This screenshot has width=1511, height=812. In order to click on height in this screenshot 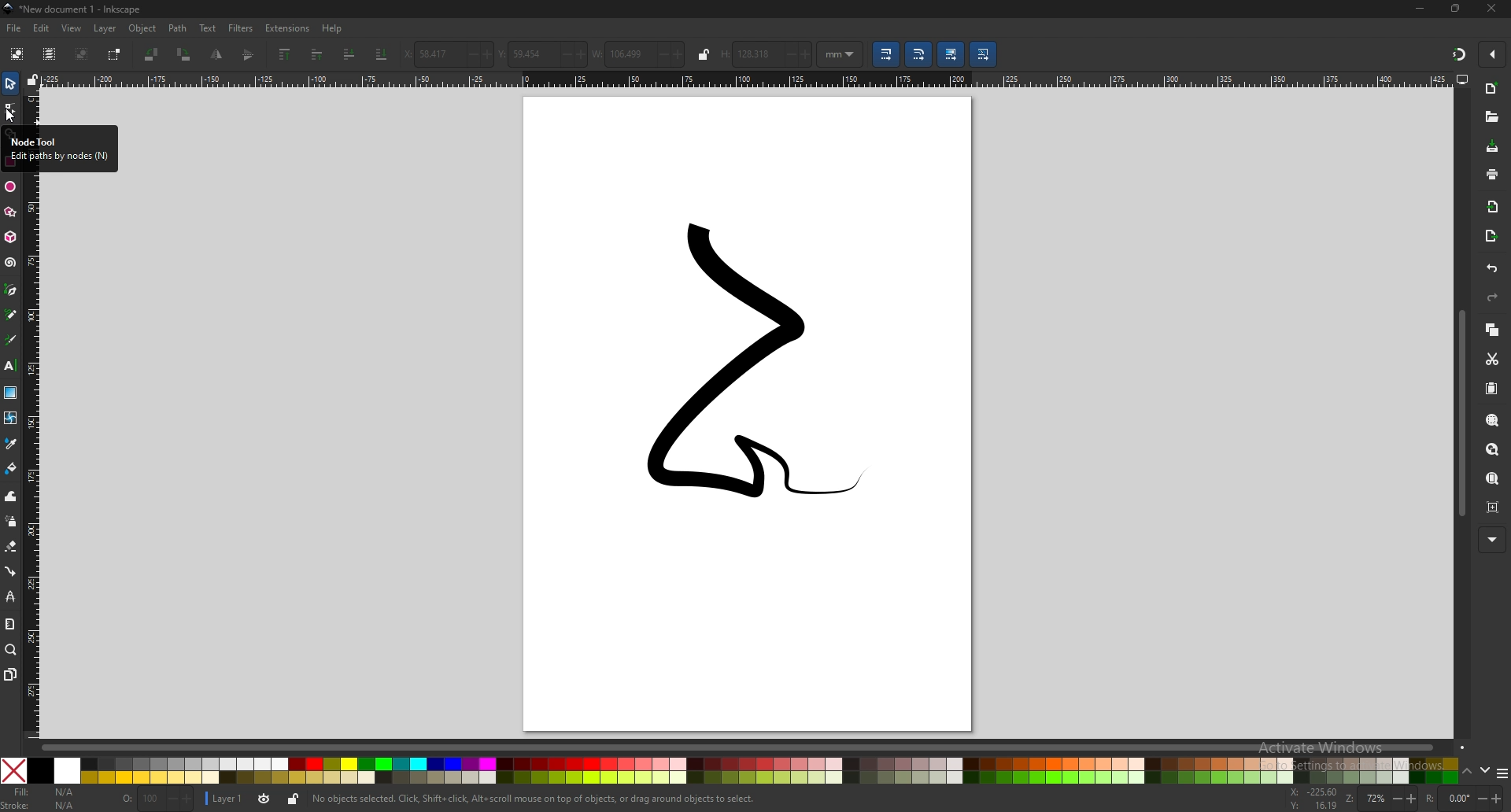, I will do `click(767, 54)`.